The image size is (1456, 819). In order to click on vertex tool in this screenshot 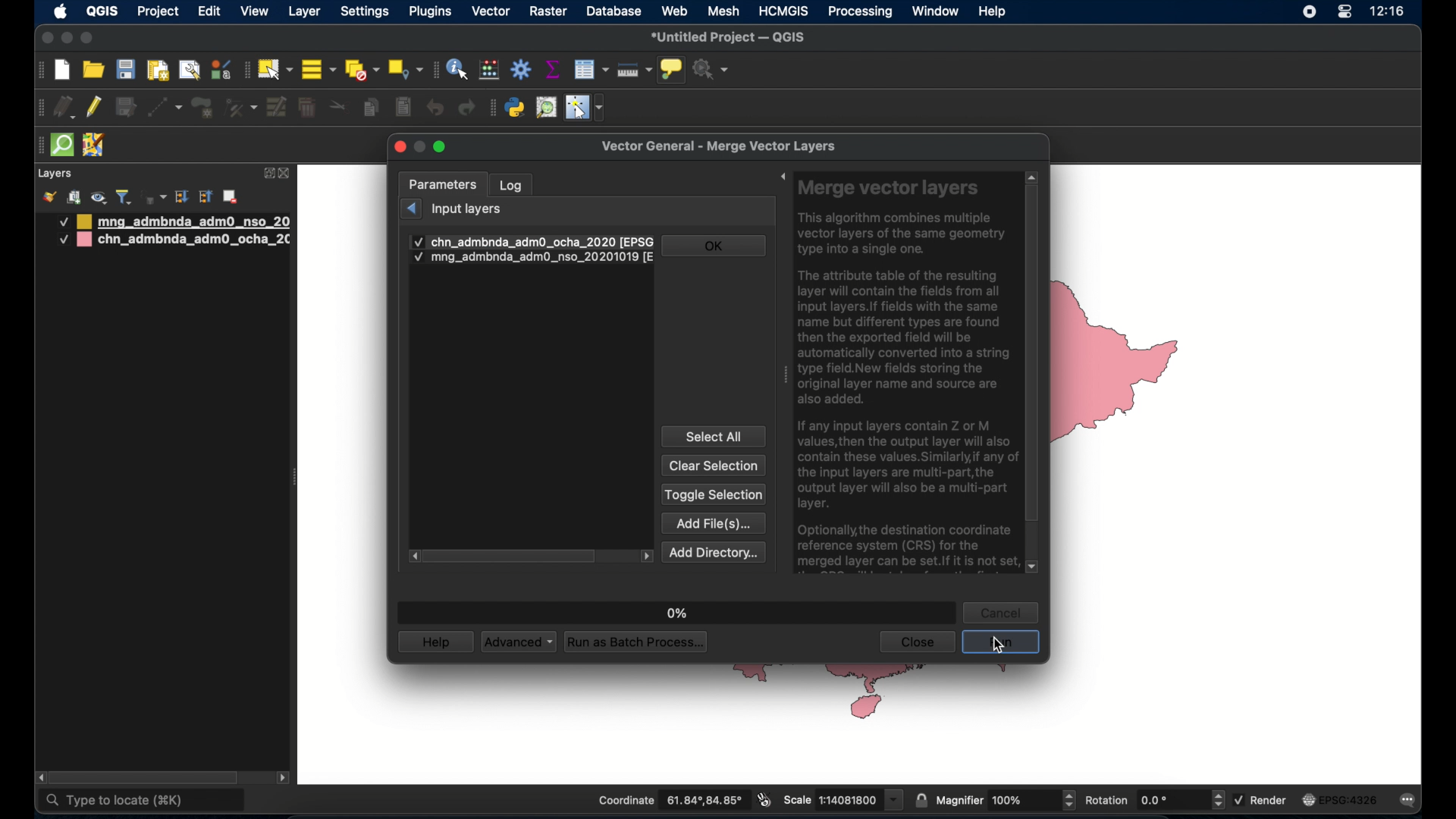, I will do `click(240, 106)`.